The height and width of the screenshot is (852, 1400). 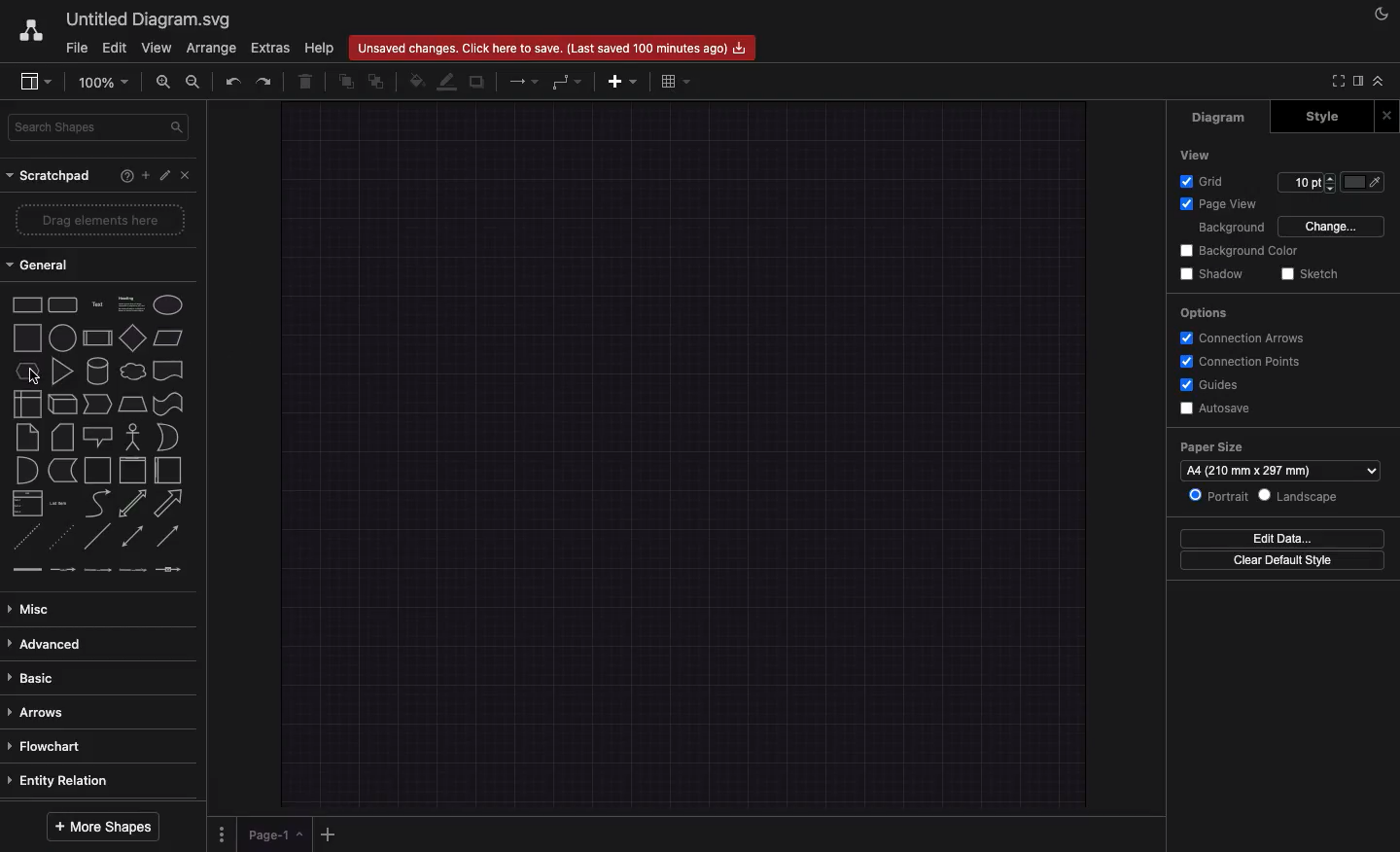 I want to click on Guides, so click(x=1212, y=385).